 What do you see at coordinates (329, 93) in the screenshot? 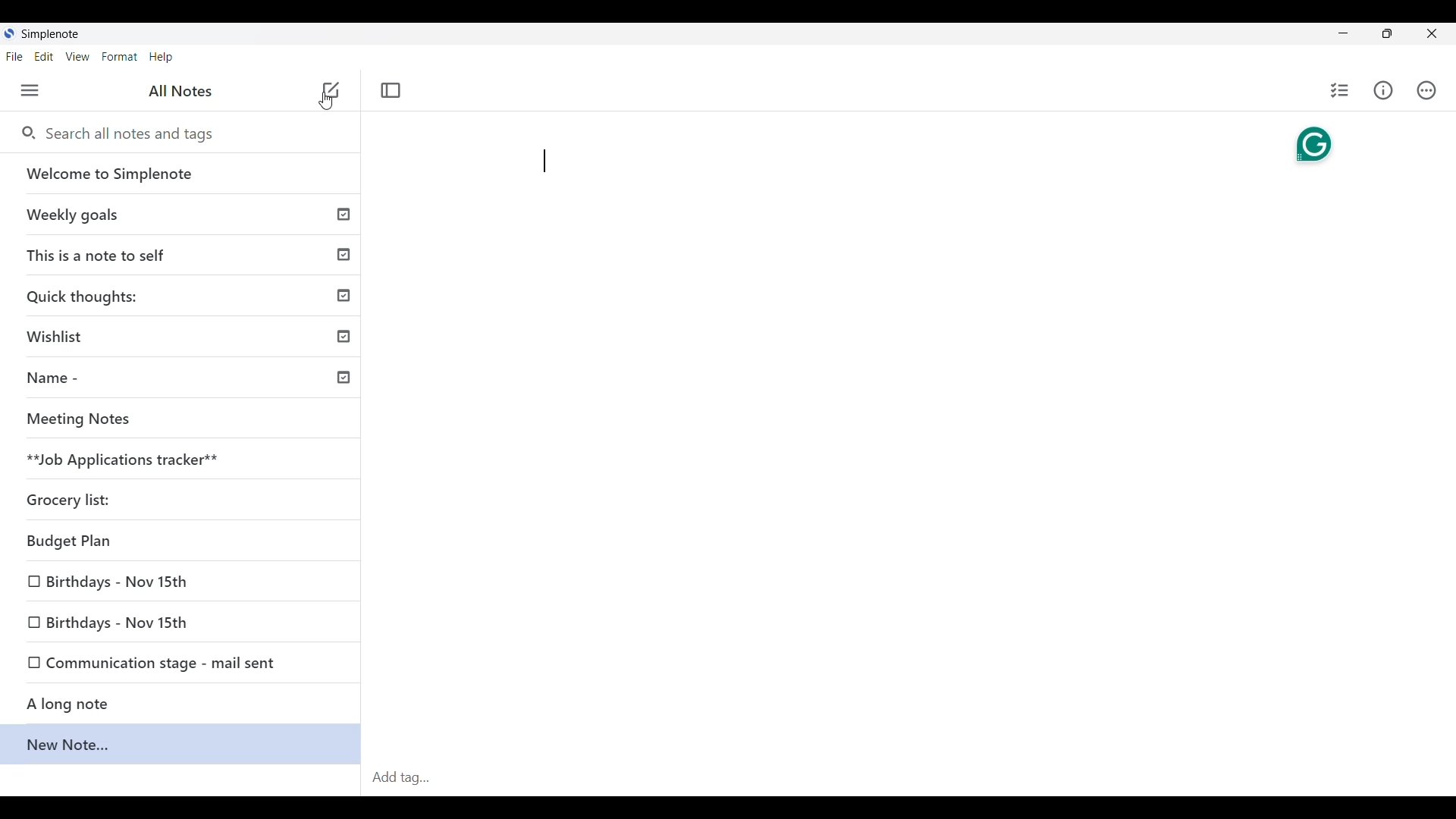
I see `add note` at bounding box center [329, 93].